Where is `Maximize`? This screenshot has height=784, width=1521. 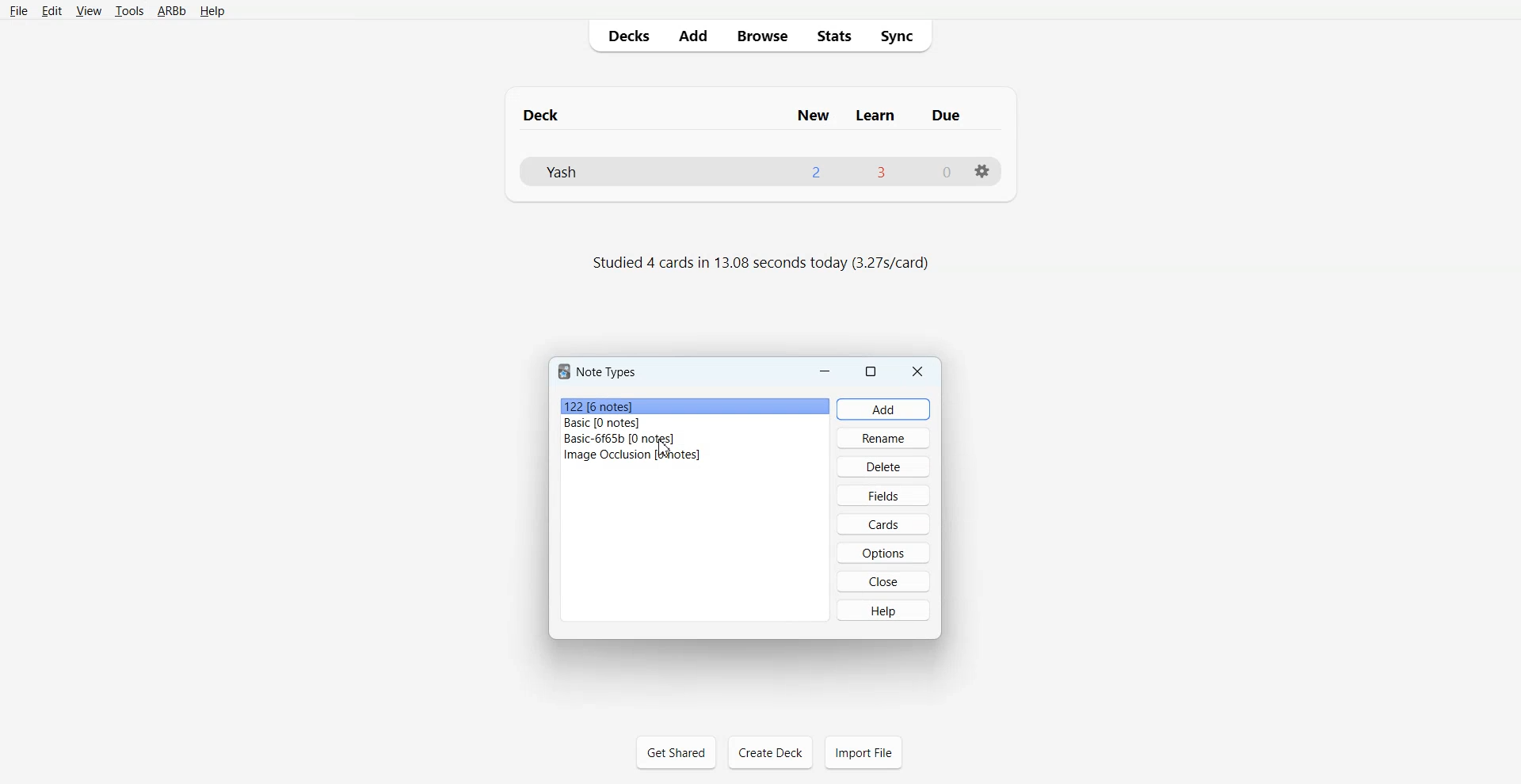
Maximize is located at coordinates (870, 371).